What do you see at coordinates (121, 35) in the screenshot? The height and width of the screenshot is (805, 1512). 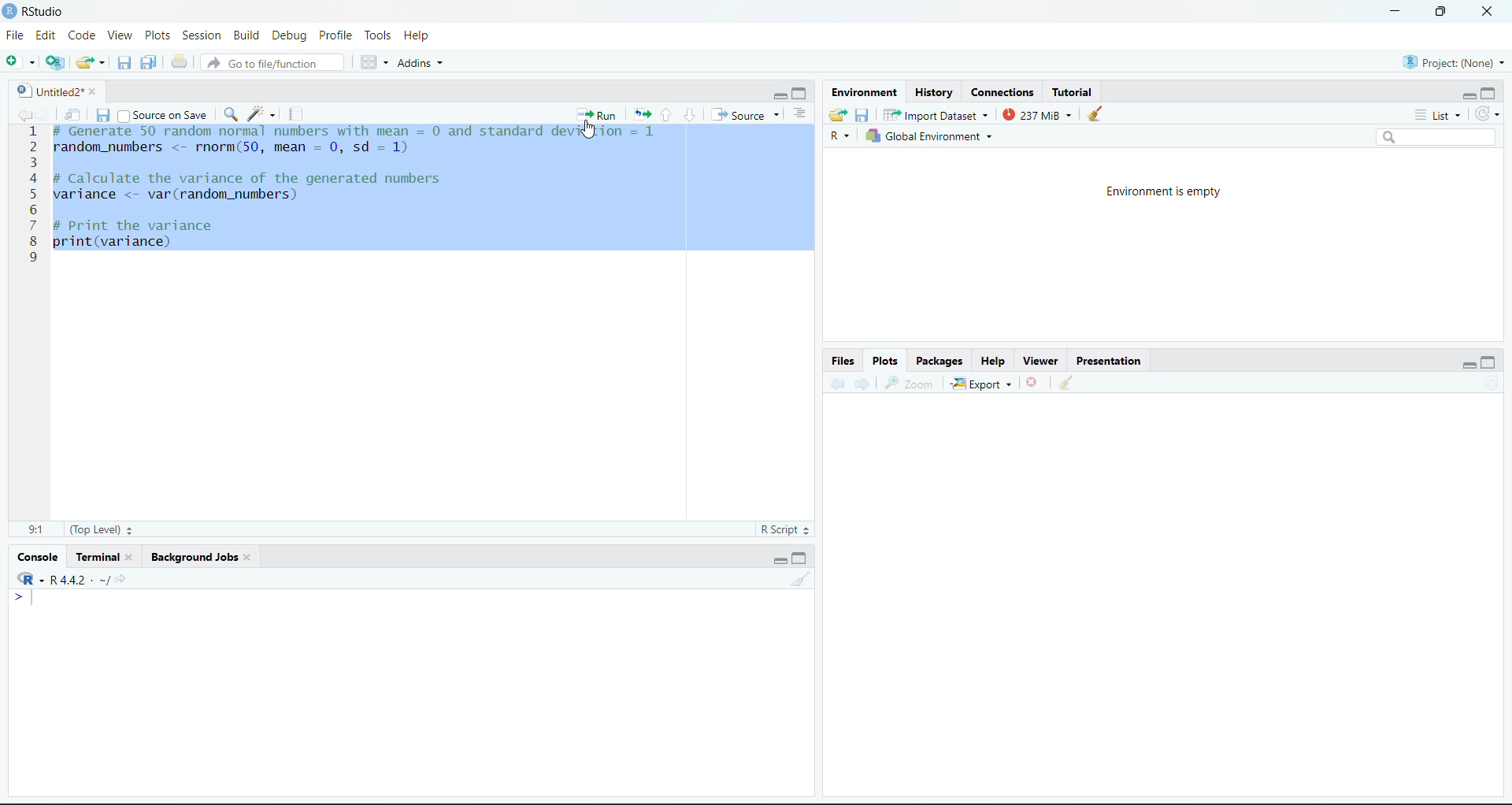 I see `View` at bounding box center [121, 35].